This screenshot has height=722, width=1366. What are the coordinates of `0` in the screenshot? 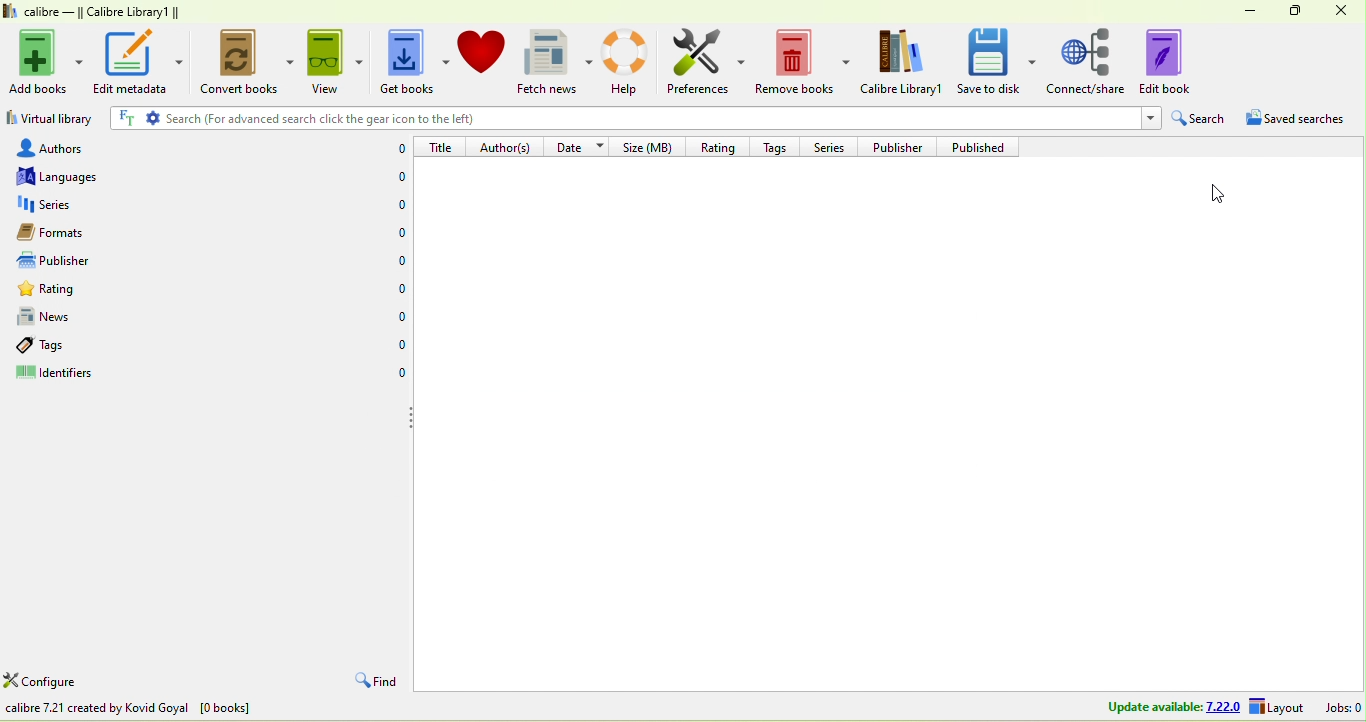 It's located at (396, 288).